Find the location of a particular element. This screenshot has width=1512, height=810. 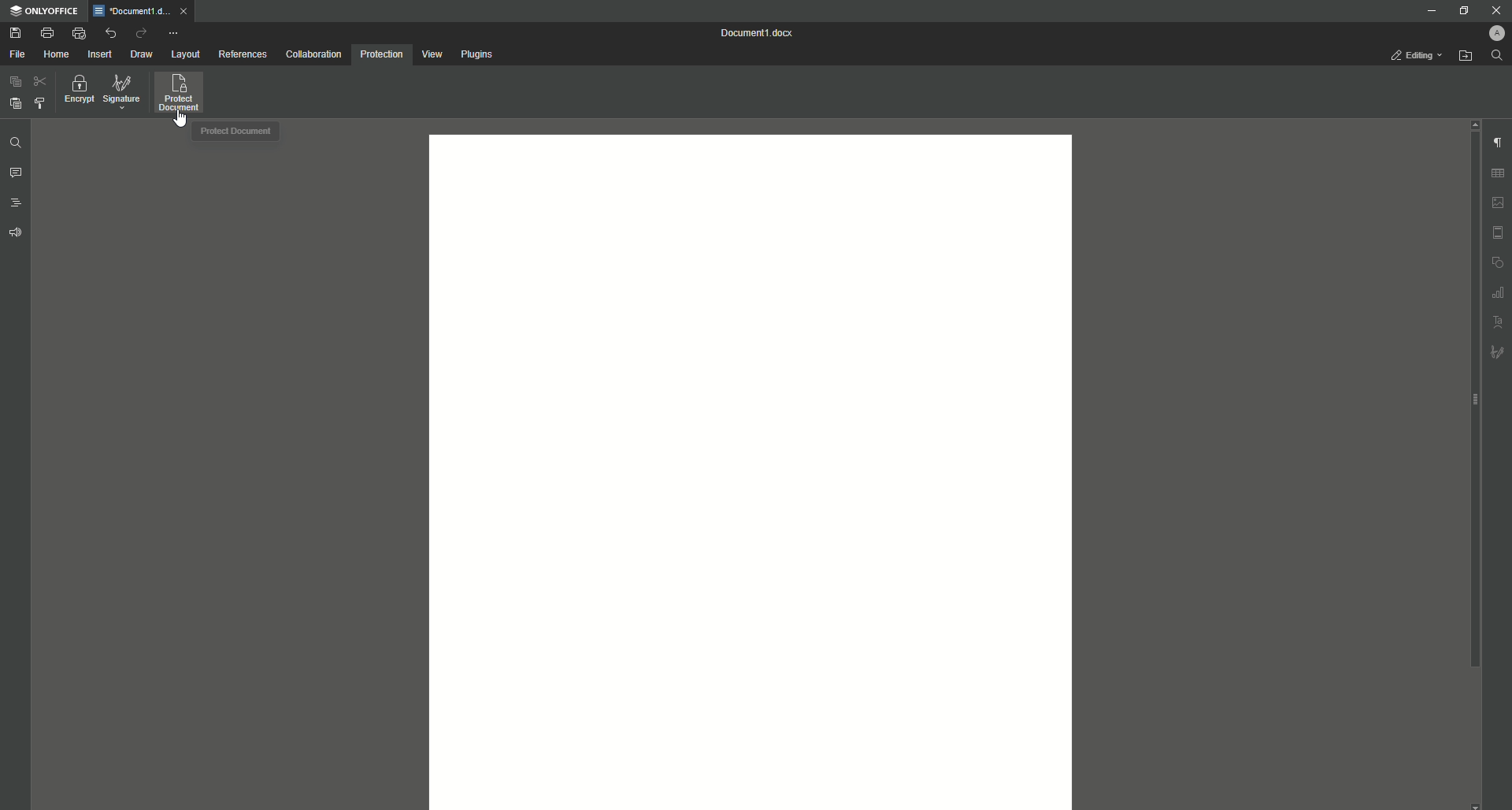

Comment is located at coordinates (17, 174).